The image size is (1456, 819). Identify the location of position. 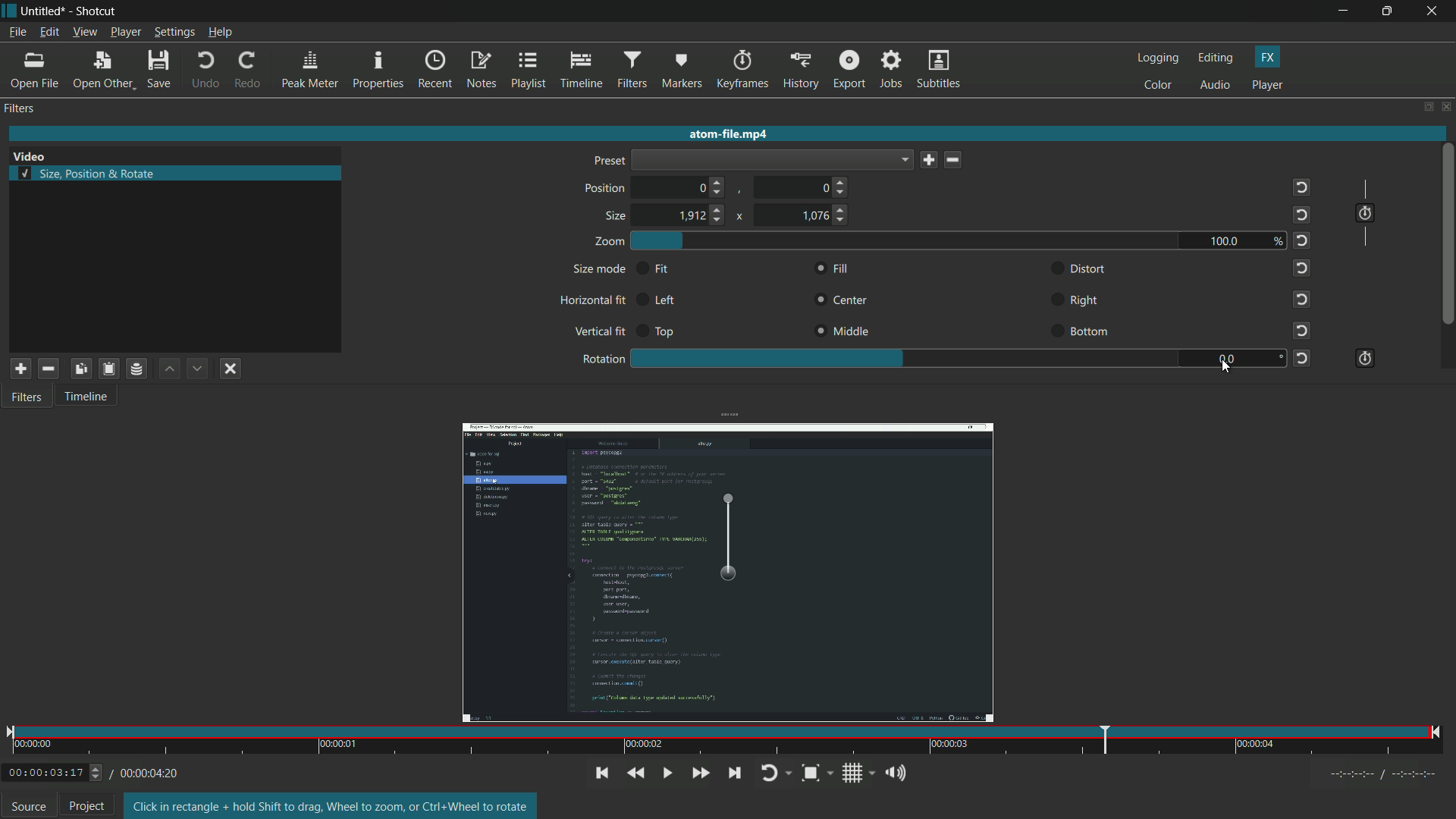
(606, 189).